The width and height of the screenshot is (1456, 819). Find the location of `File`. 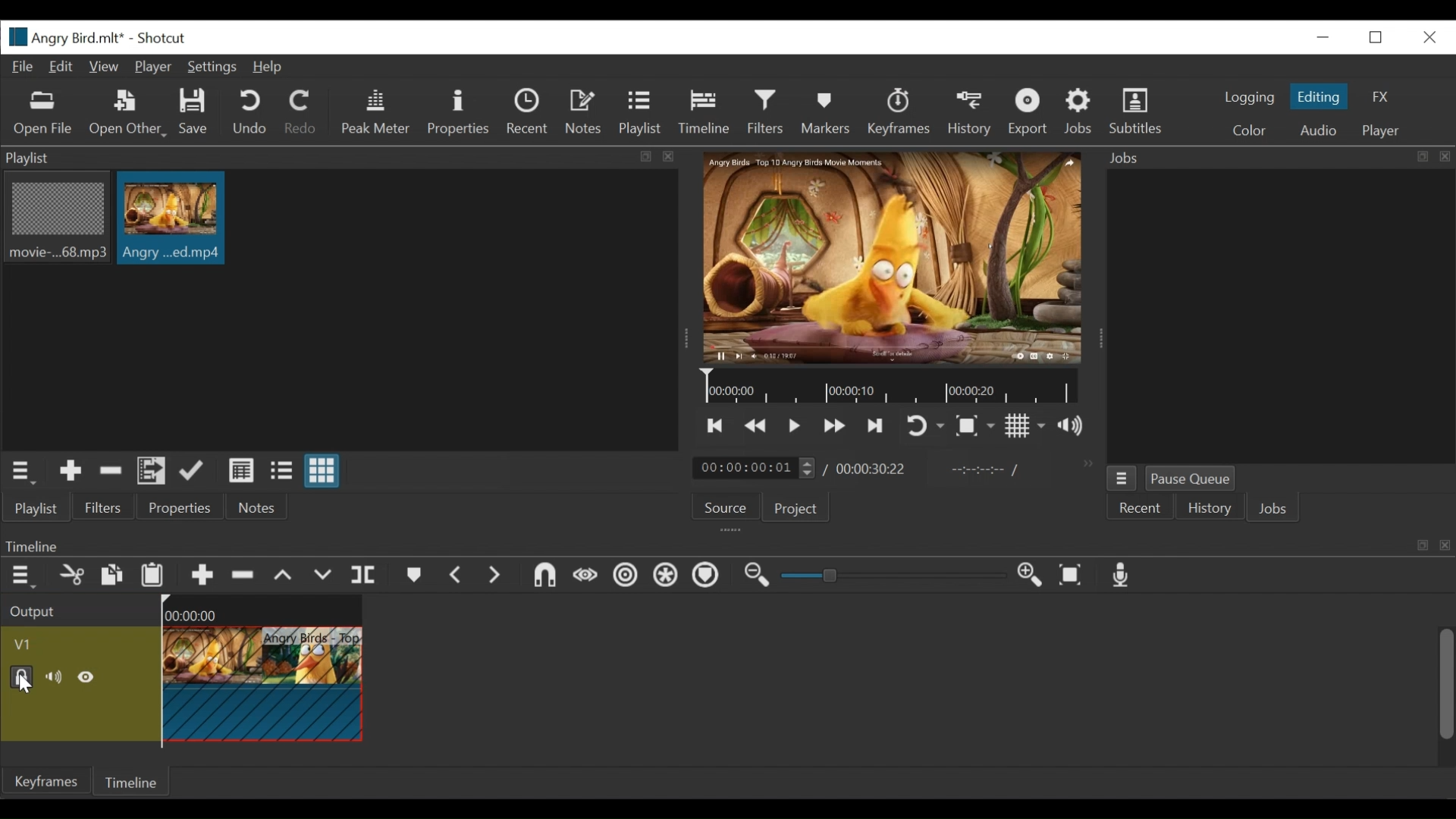

File is located at coordinates (24, 67).